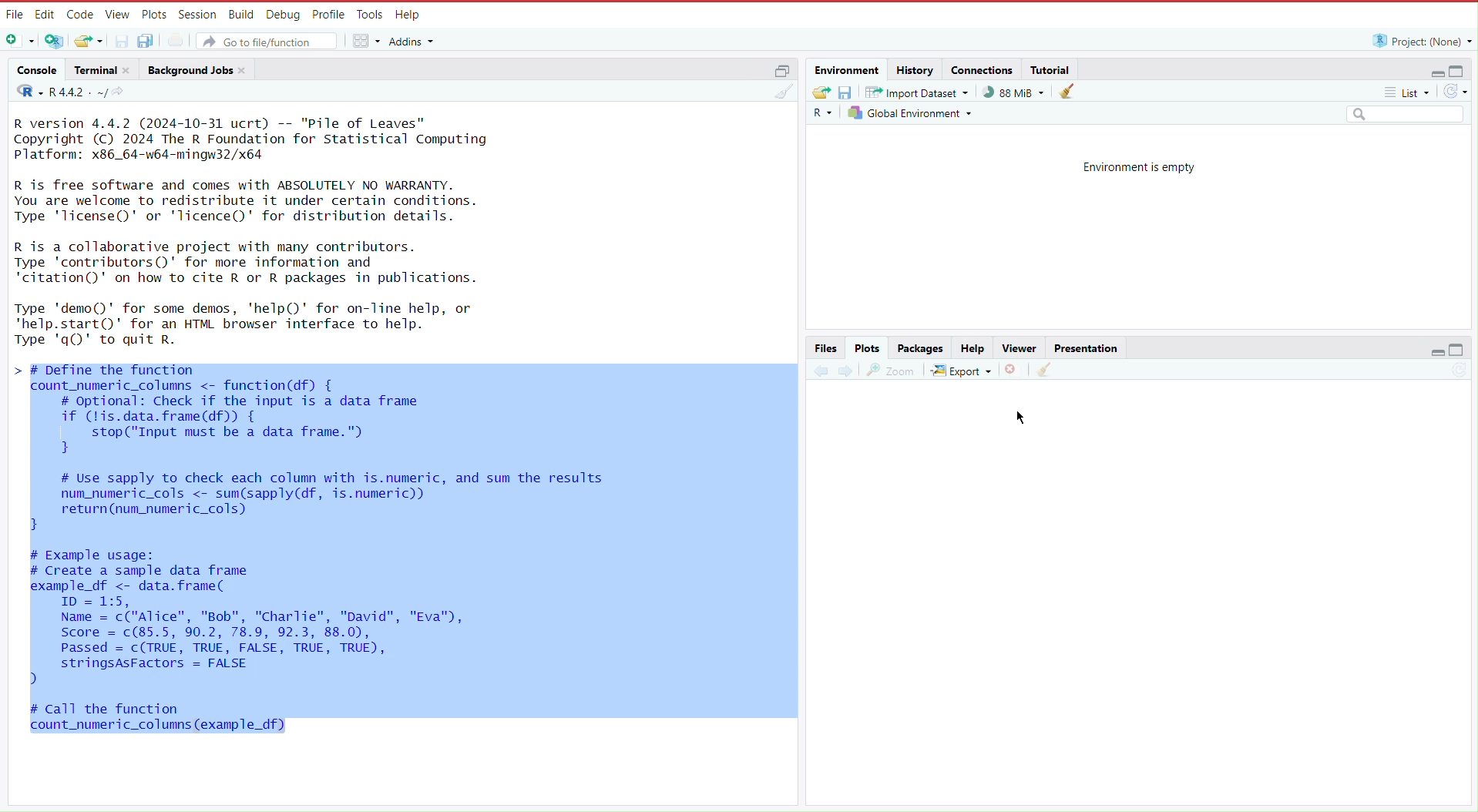 This screenshot has height=812, width=1478. I want to click on > # DeTine the Tunction

count_numeric_columns <- function(df) {
# optional: Check if the input is a data frame
if (1is.data.frame(df)) {

stop("Input must be a data frame.")

}
# Use sapply to check each column with is.numeric, and sum the results
num_numeric_cols <- sum(sapply(df, is.numeric))
return (num_numeric_cols)

}

# Example usage:

# Create a sample data frame

example_df <- data.frame(
ID = 1:5,
Name = c("Alice", "Bob", "Charlie", "David", "Eva"),
Score = c(85.5, 90.2, 78.9, 92.3, 88.0),
passed = c(TRUE, TRUE, FALSE, TRUE, TRUE),
stringsAsFactors = FALSE

J)

# Call the function

count_numeric_columns (example_df), so click(315, 551).